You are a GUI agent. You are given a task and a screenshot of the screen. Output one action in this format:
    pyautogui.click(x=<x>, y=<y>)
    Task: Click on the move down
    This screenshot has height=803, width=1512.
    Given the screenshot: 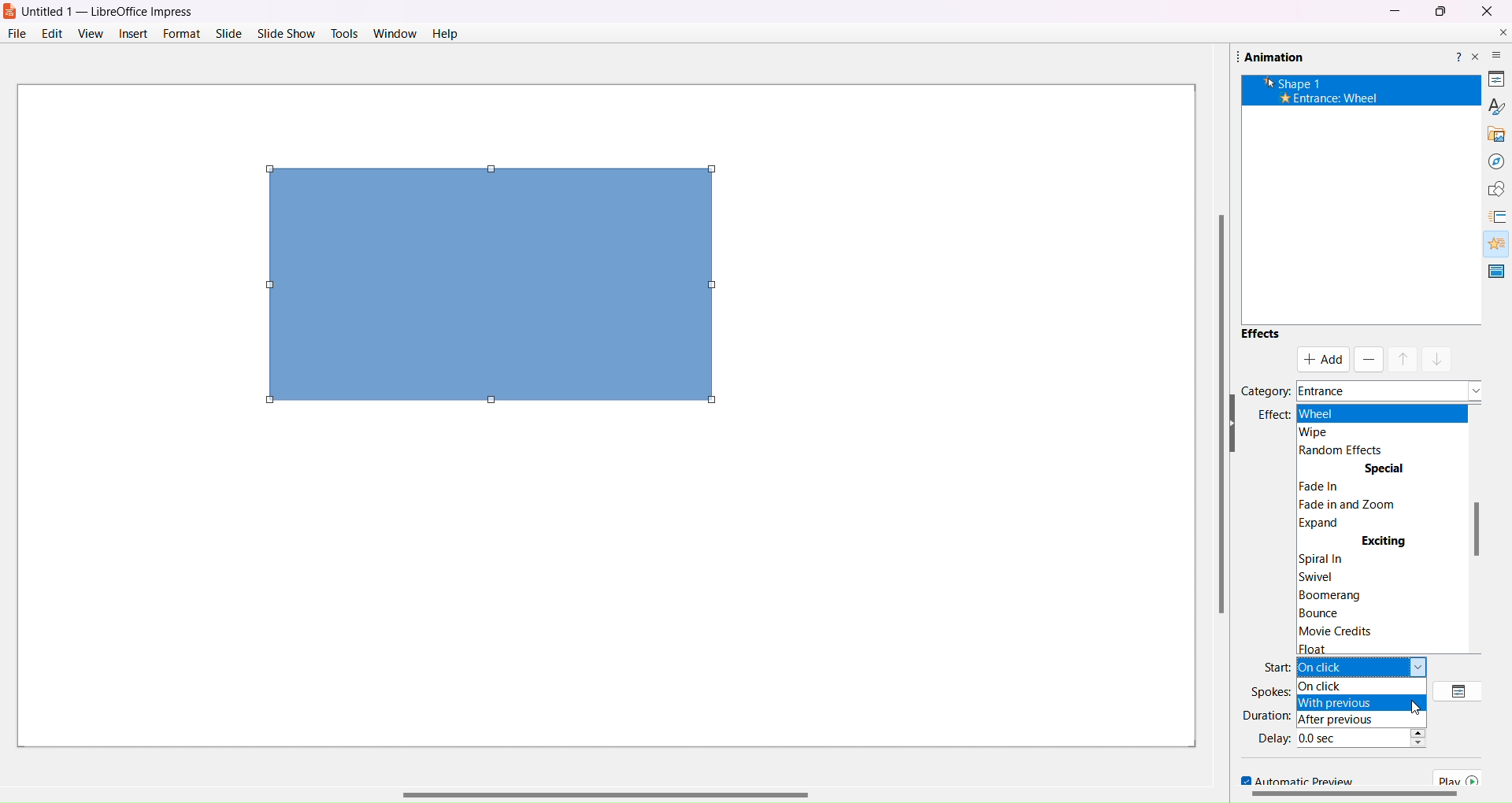 What is the action you would take?
    pyautogui.click(x=1438, y=357)
    